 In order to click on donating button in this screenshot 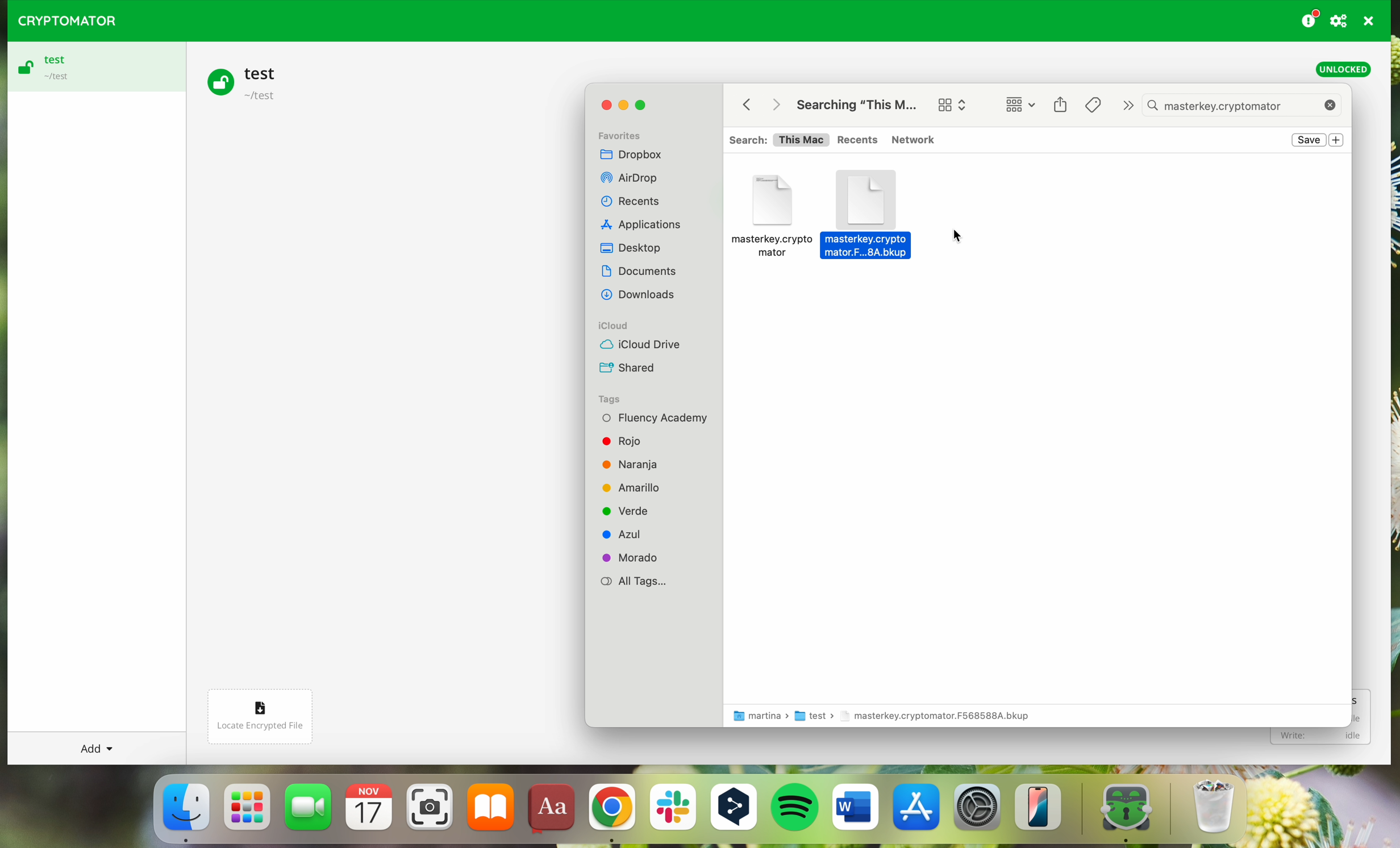, I will do `click(1310, 19)`.